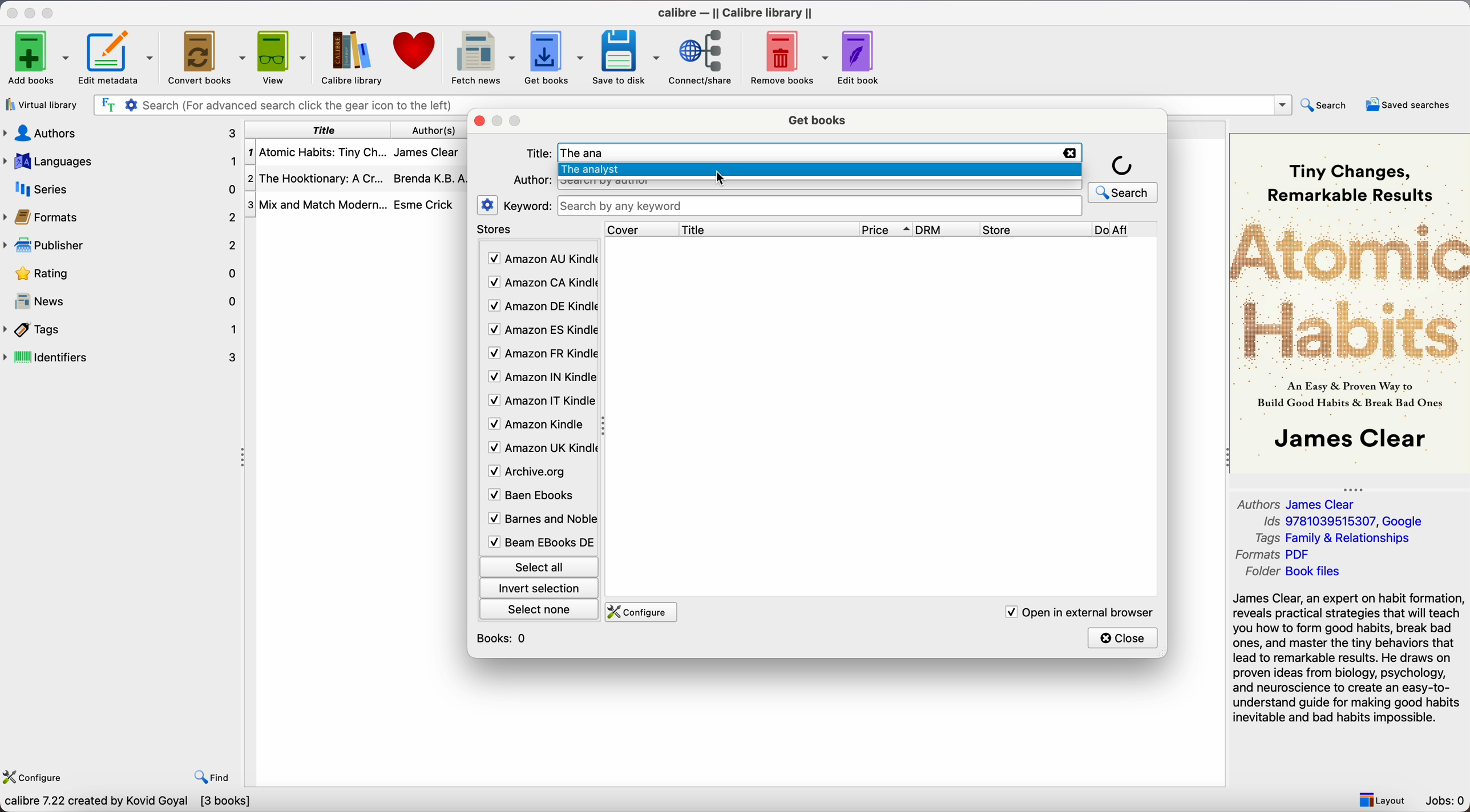 The image size is (1470, 812). Describe the element at coordinates (479, 56) in the screenshot. I see `fetch news` at that location.